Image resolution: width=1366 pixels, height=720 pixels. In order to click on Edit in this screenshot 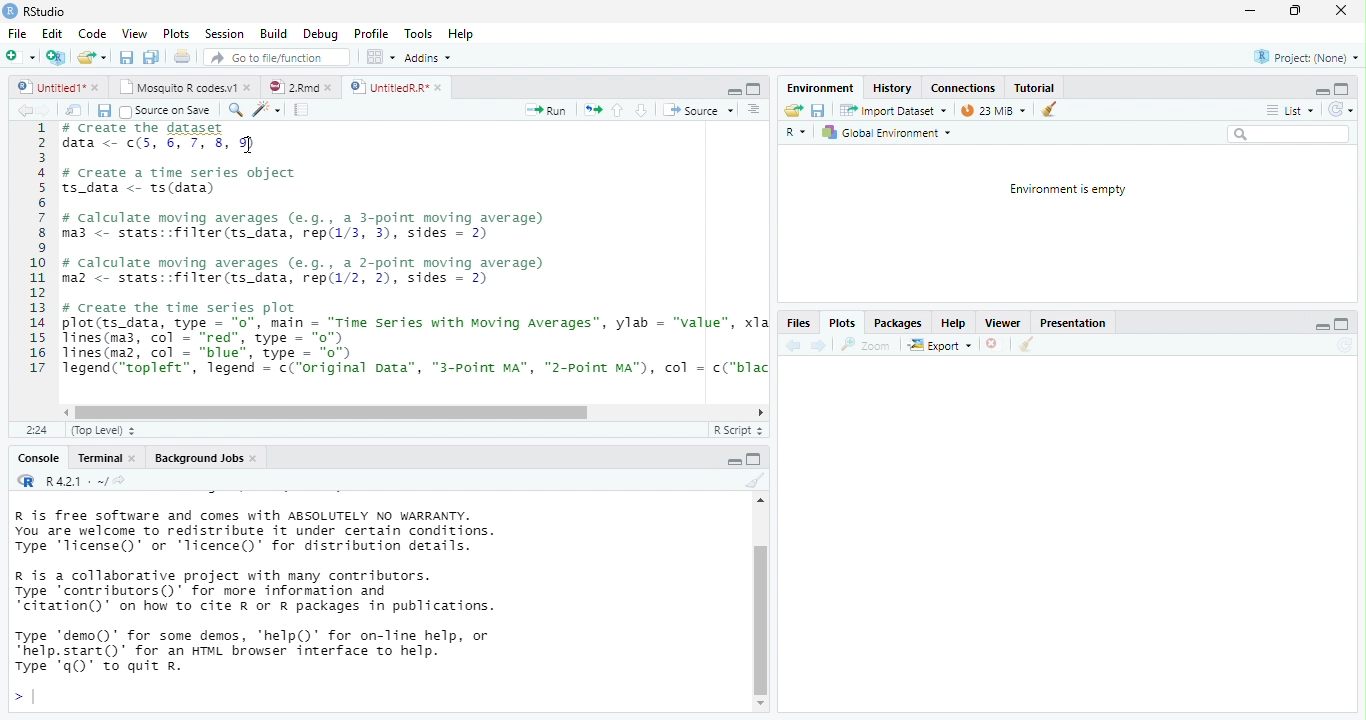, I will do `click(52, 33)`.